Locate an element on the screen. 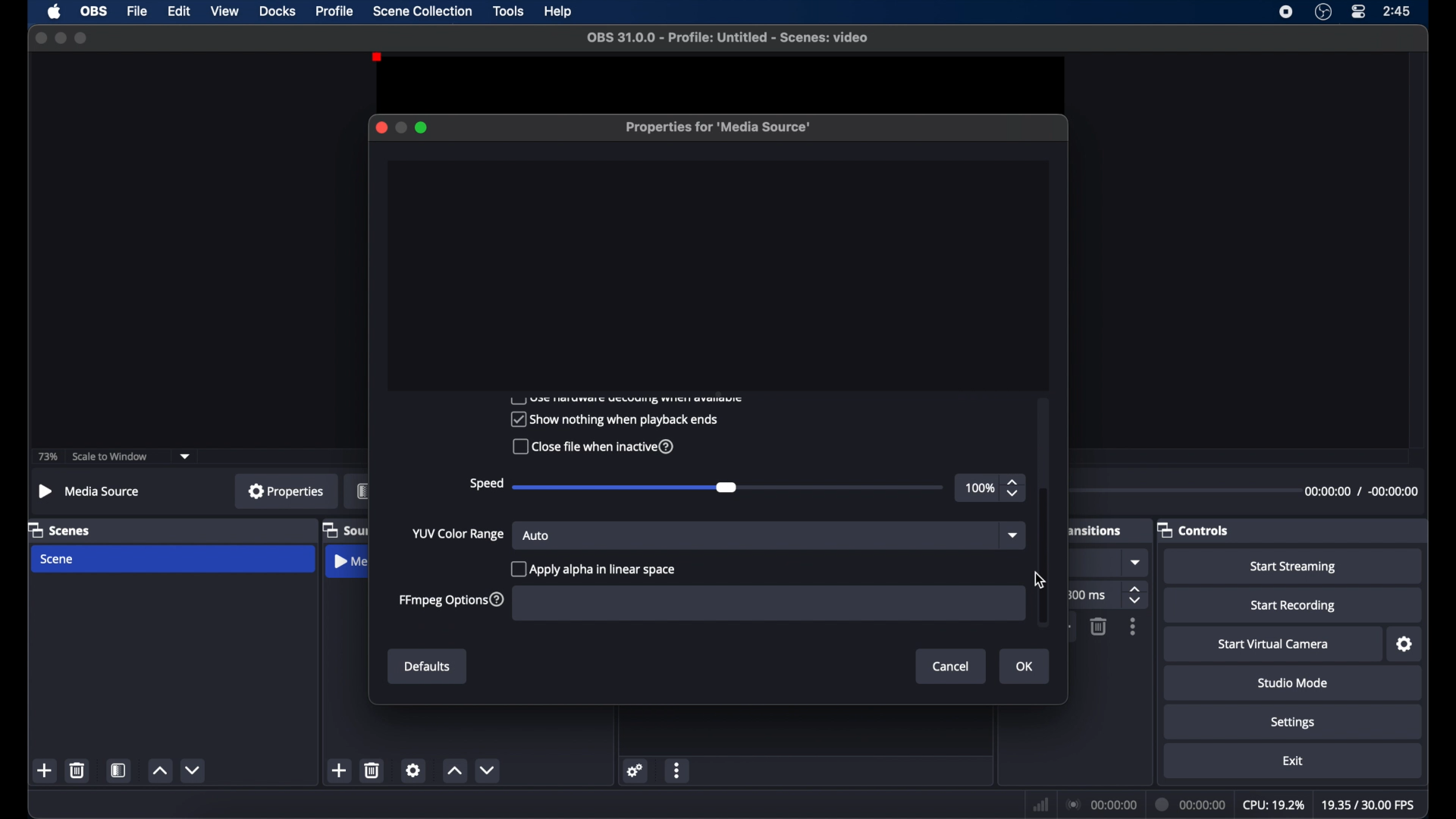 The width and height of the screenshot is (1456, 819). close is located at coordinates (381, 127).